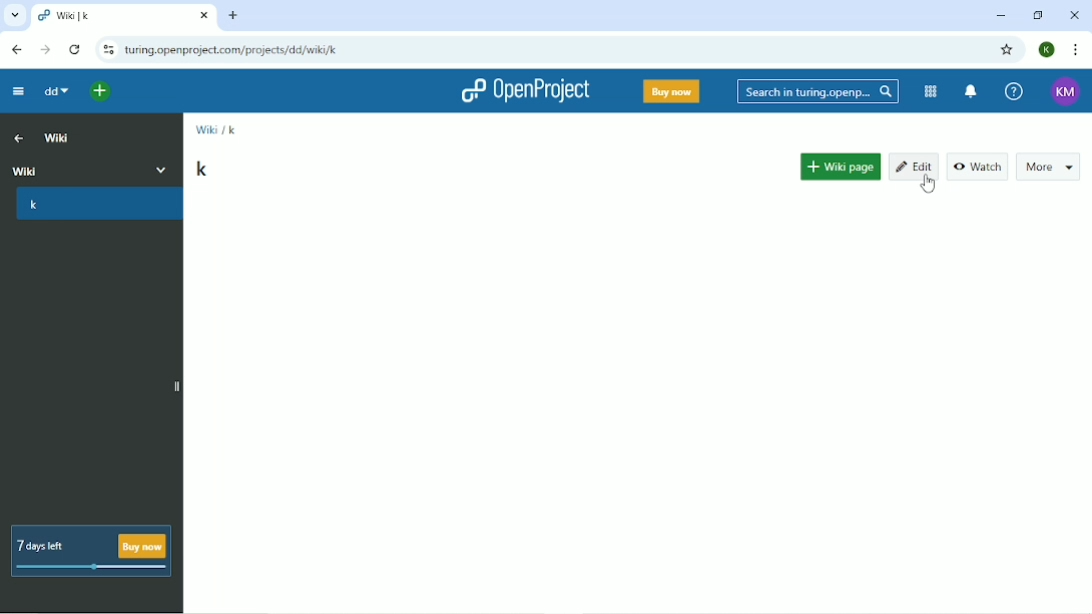 The width and height of the screenshot is (1092, 614). I want to click on Forward, so click(46, 49).